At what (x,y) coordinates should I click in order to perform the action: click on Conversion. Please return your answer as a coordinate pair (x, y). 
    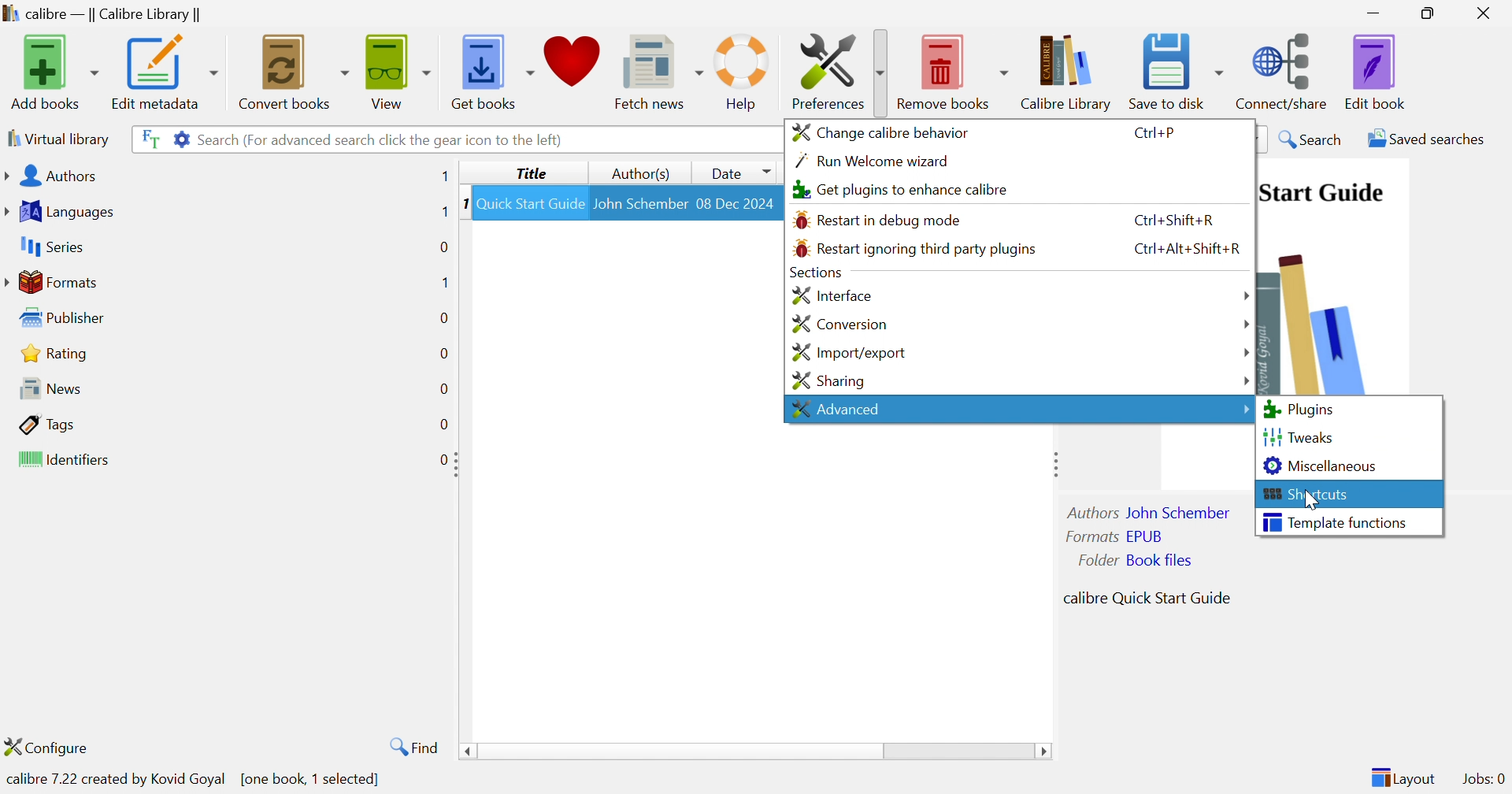
    Looking at the image, I should click on (839, 325).